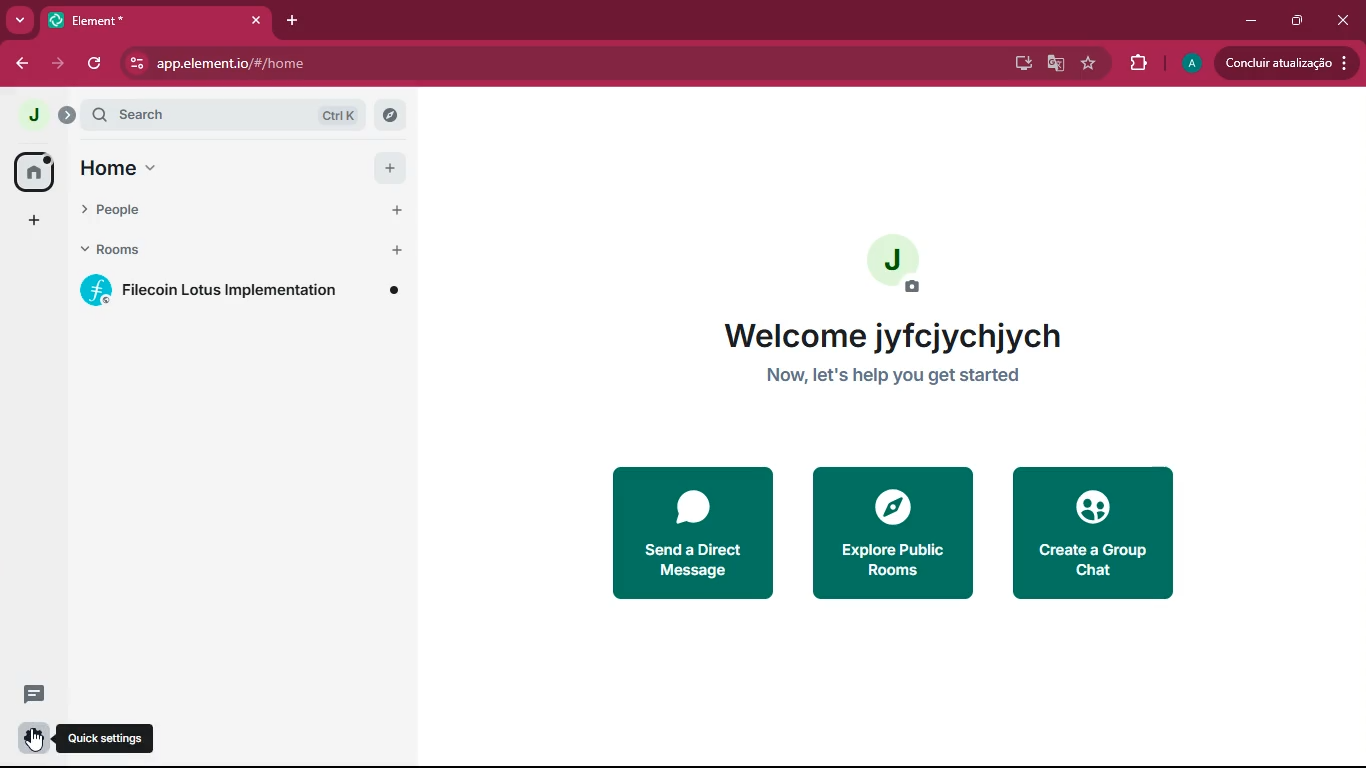  What do you see at coordinates (114, 19) in the screenshot?
I see `element*` at bounding box center [114, 19].